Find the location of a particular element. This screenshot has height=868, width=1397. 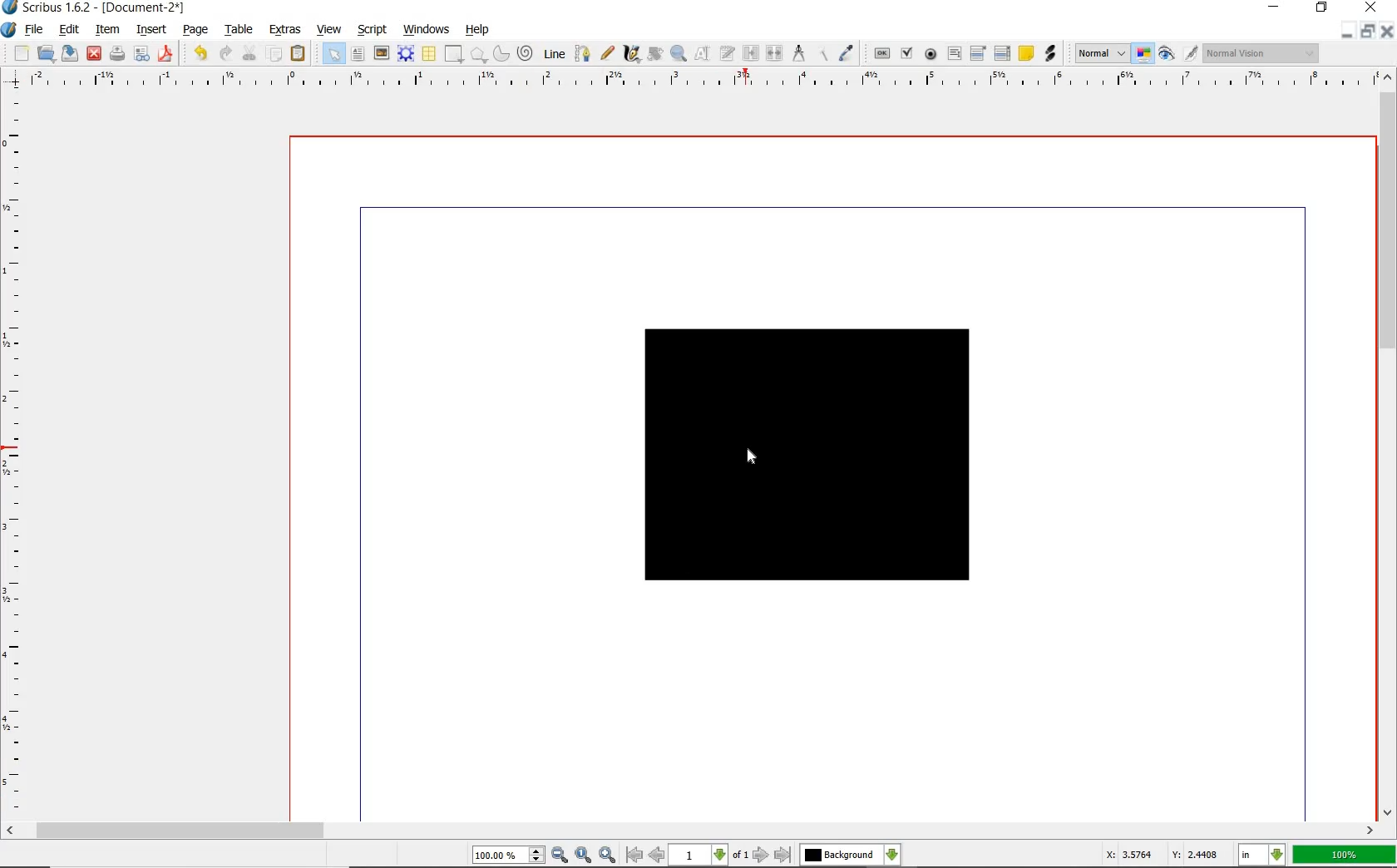

copy is located at coordinates (276, 52).